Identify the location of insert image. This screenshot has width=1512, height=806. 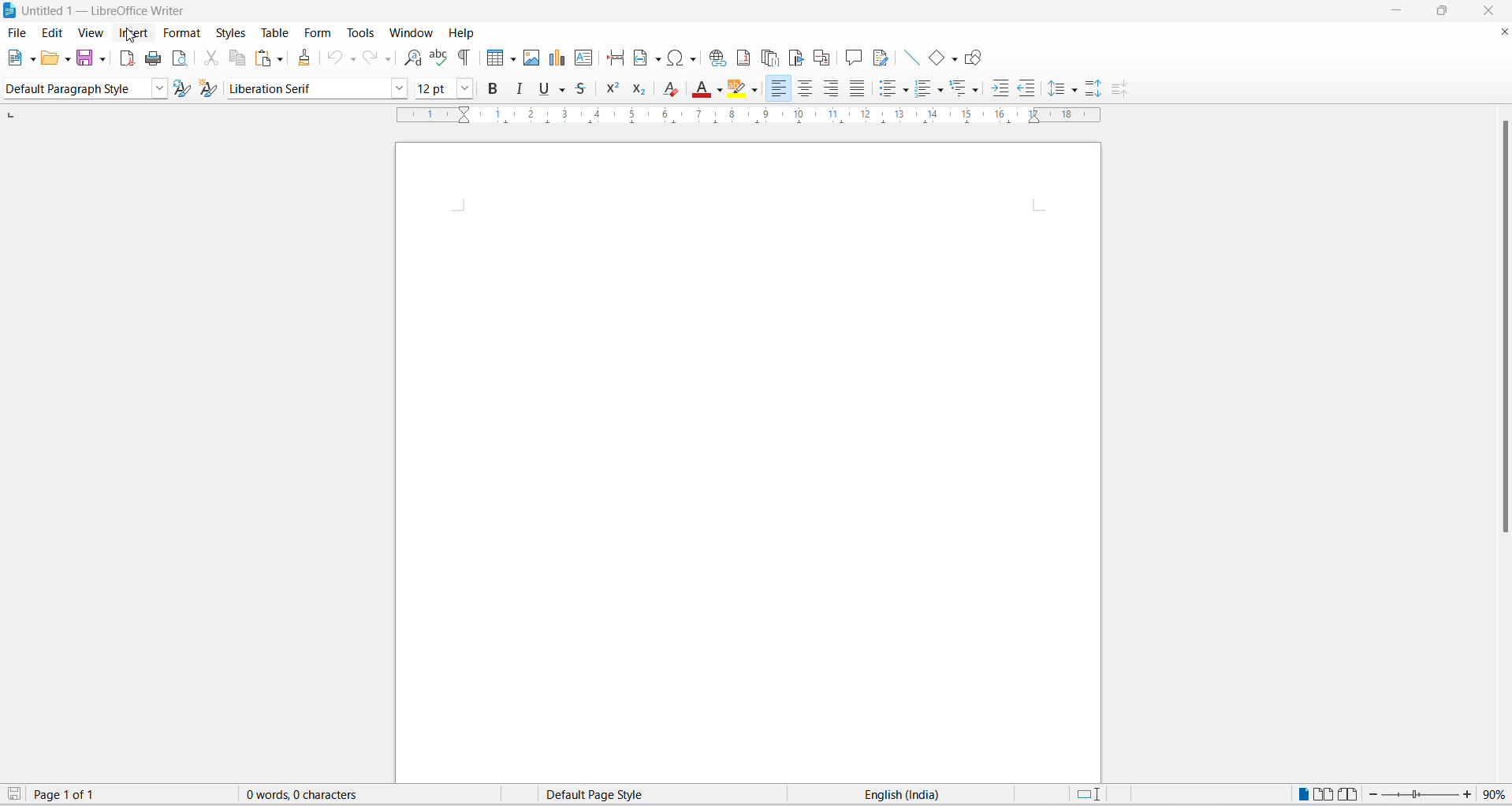
(533, 59).